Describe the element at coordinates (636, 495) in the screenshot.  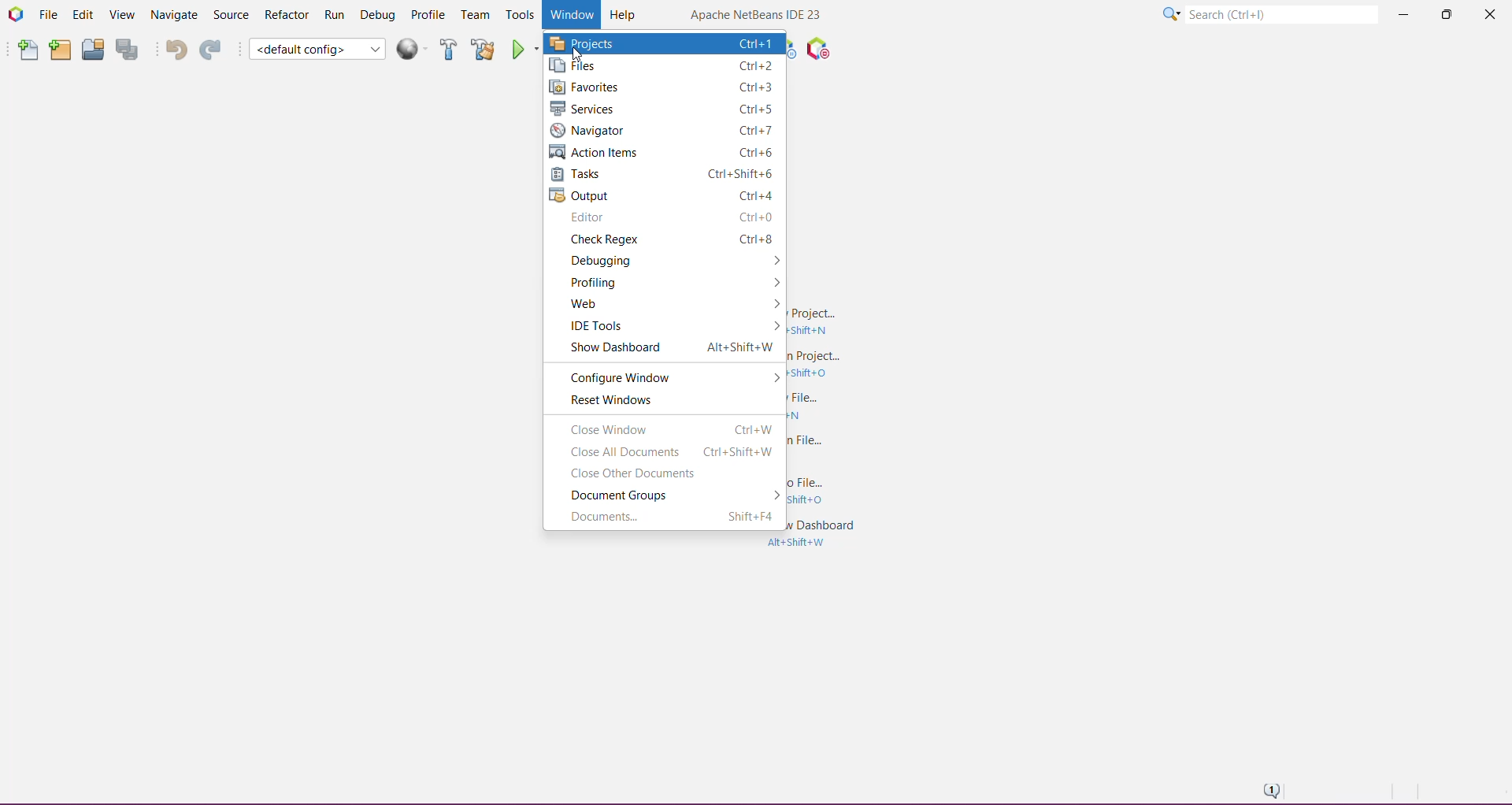
I see `Document Groups` at that location.